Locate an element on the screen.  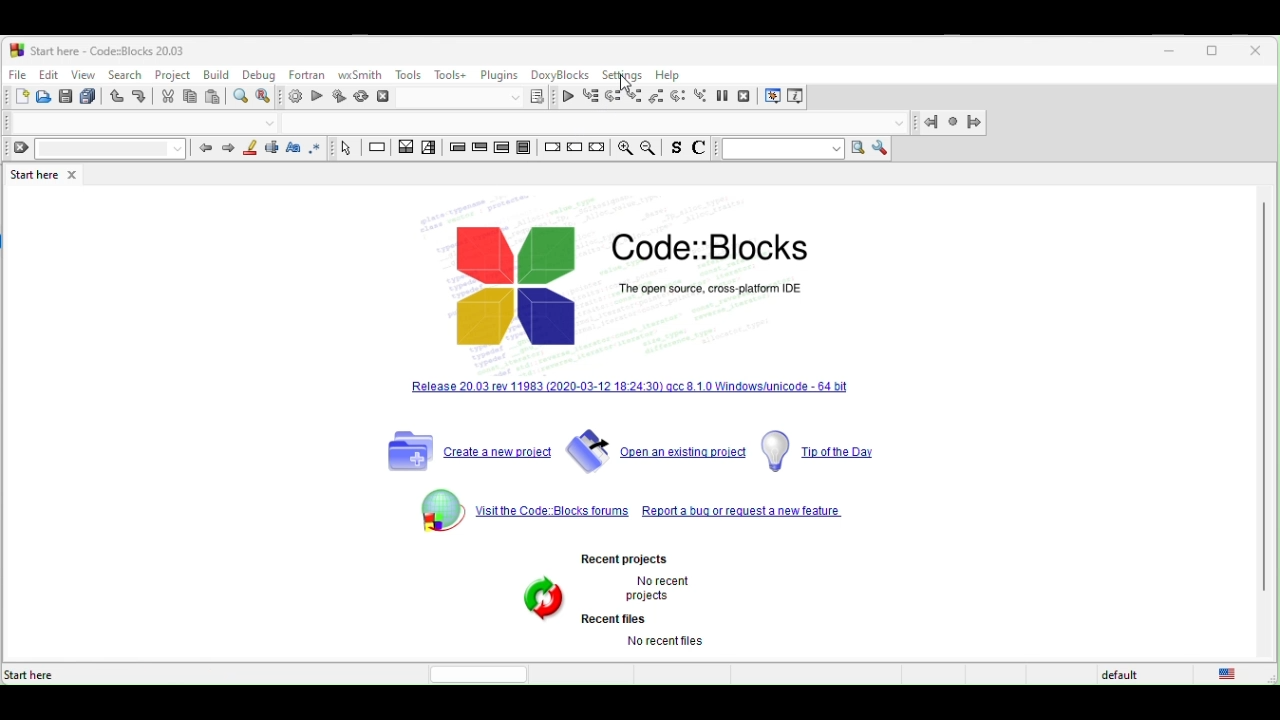
maximize is located at coordinates (1216, 53).